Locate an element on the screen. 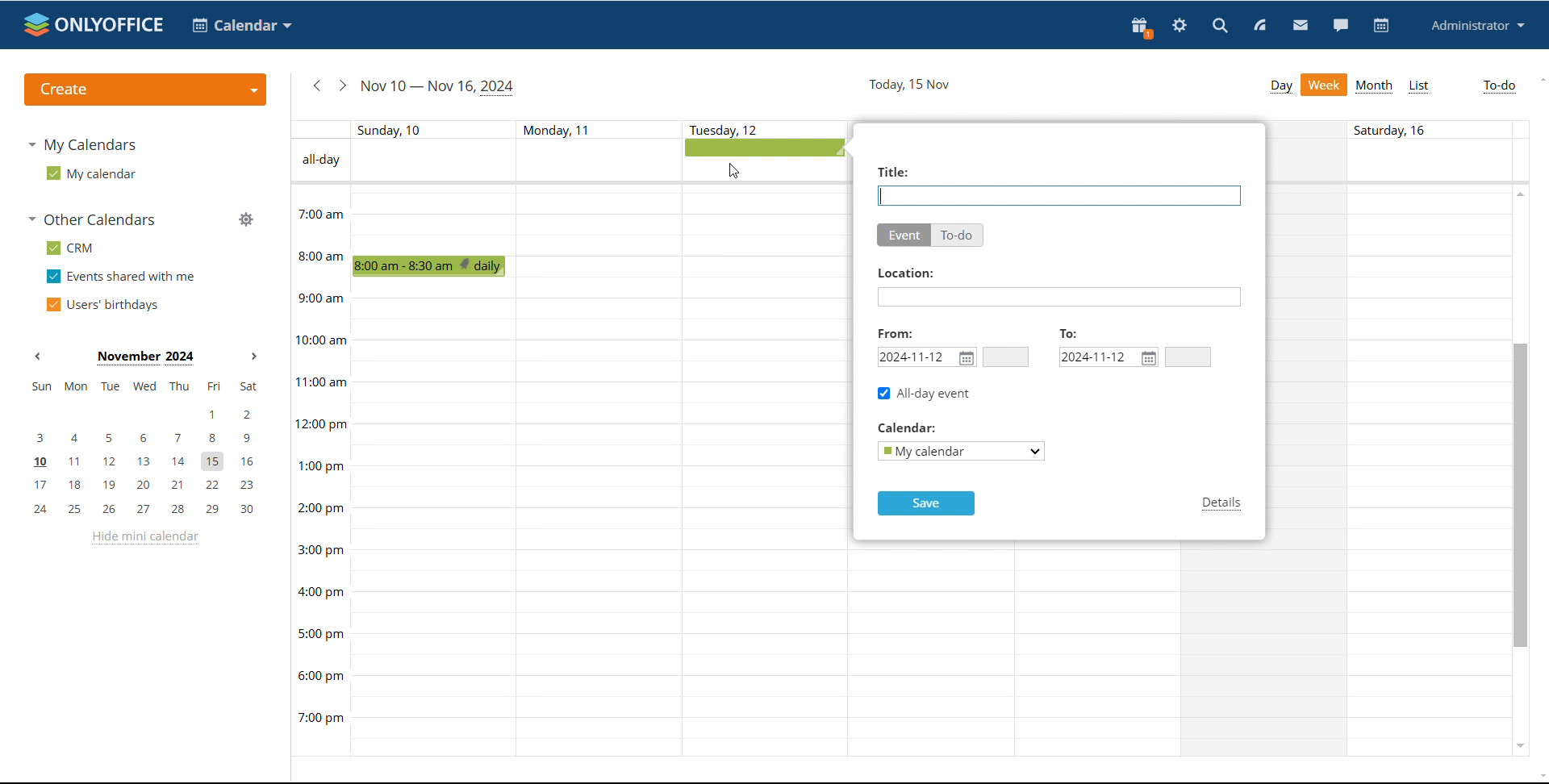 The height and width of the screenshot is (784, 1549). timeline is located at coordinates (319, 469).